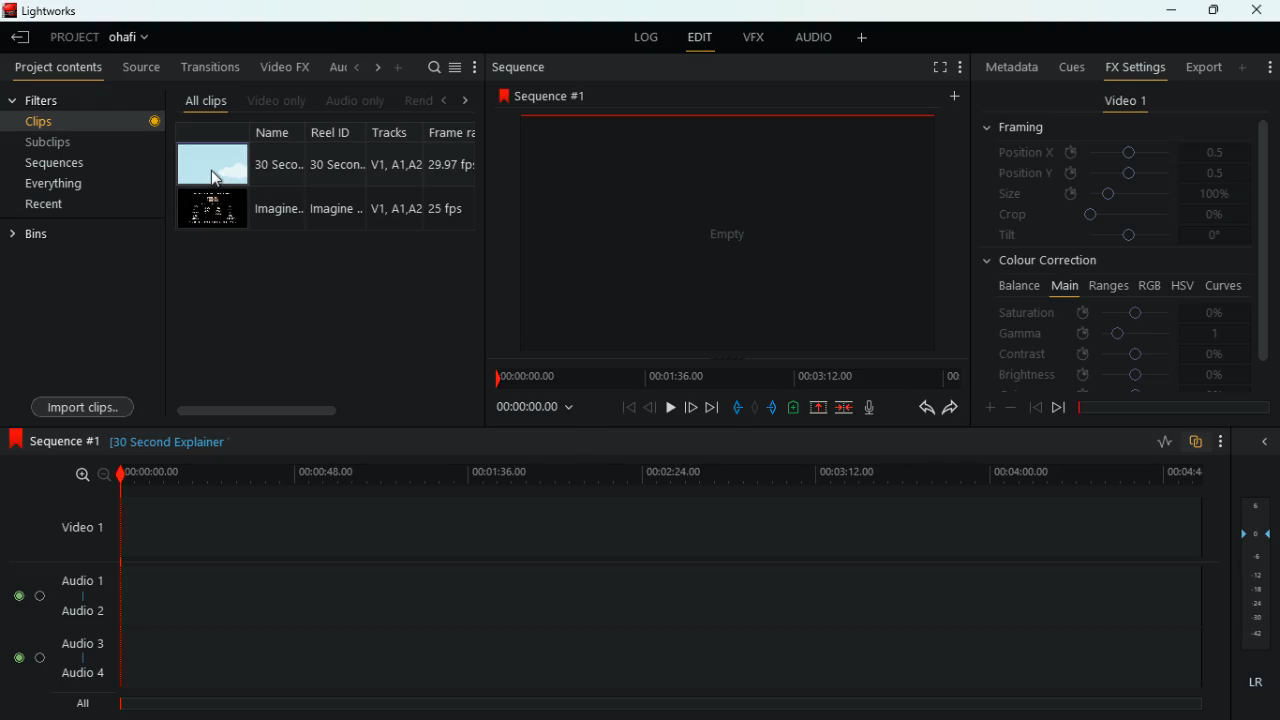 This screenshot has width=1280, height=720. Describe the element at coordinates (671, 407) in the screenshot. I see `play` at that location.